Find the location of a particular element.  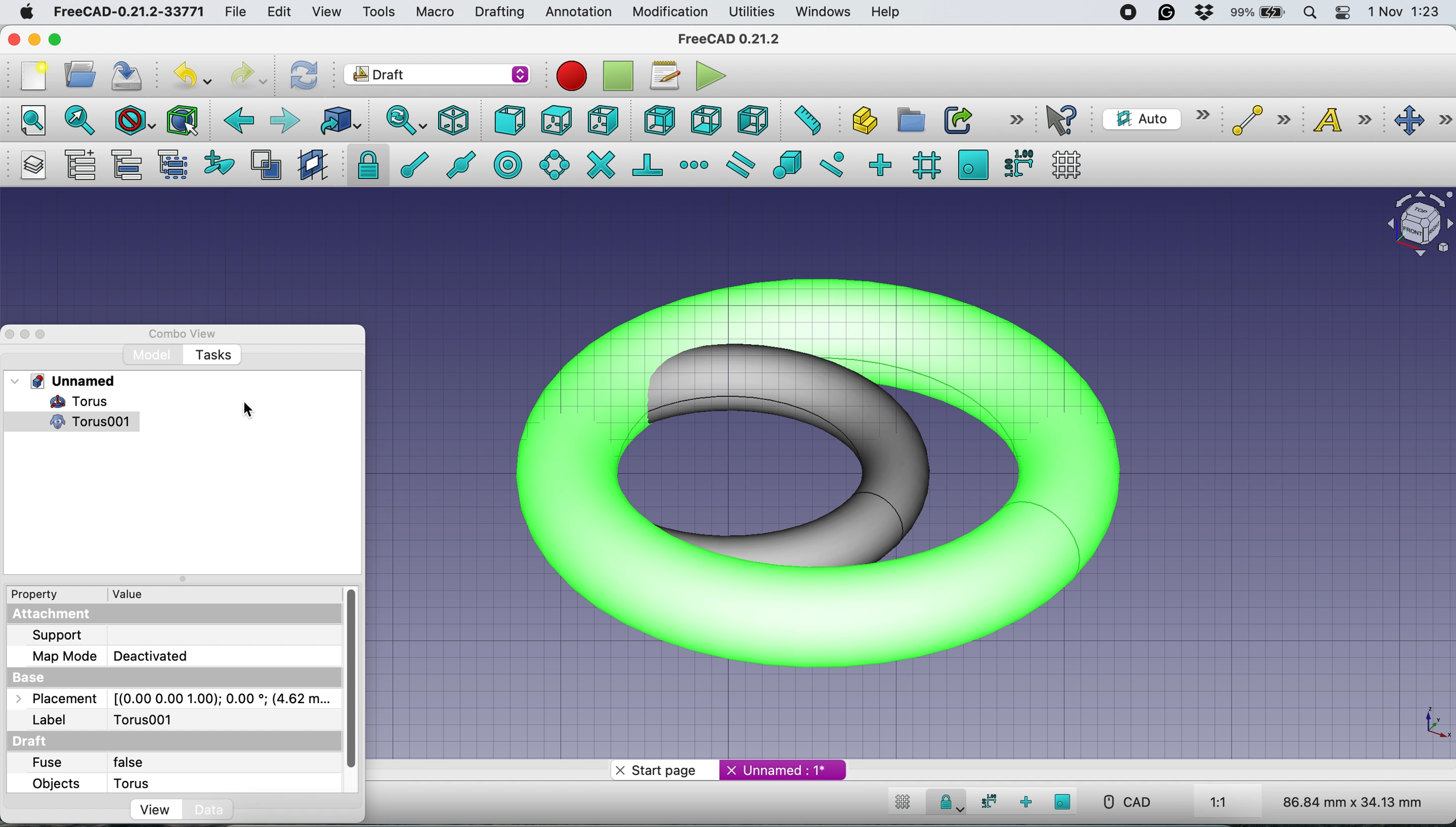

redo is located at coordinates (248, 76).